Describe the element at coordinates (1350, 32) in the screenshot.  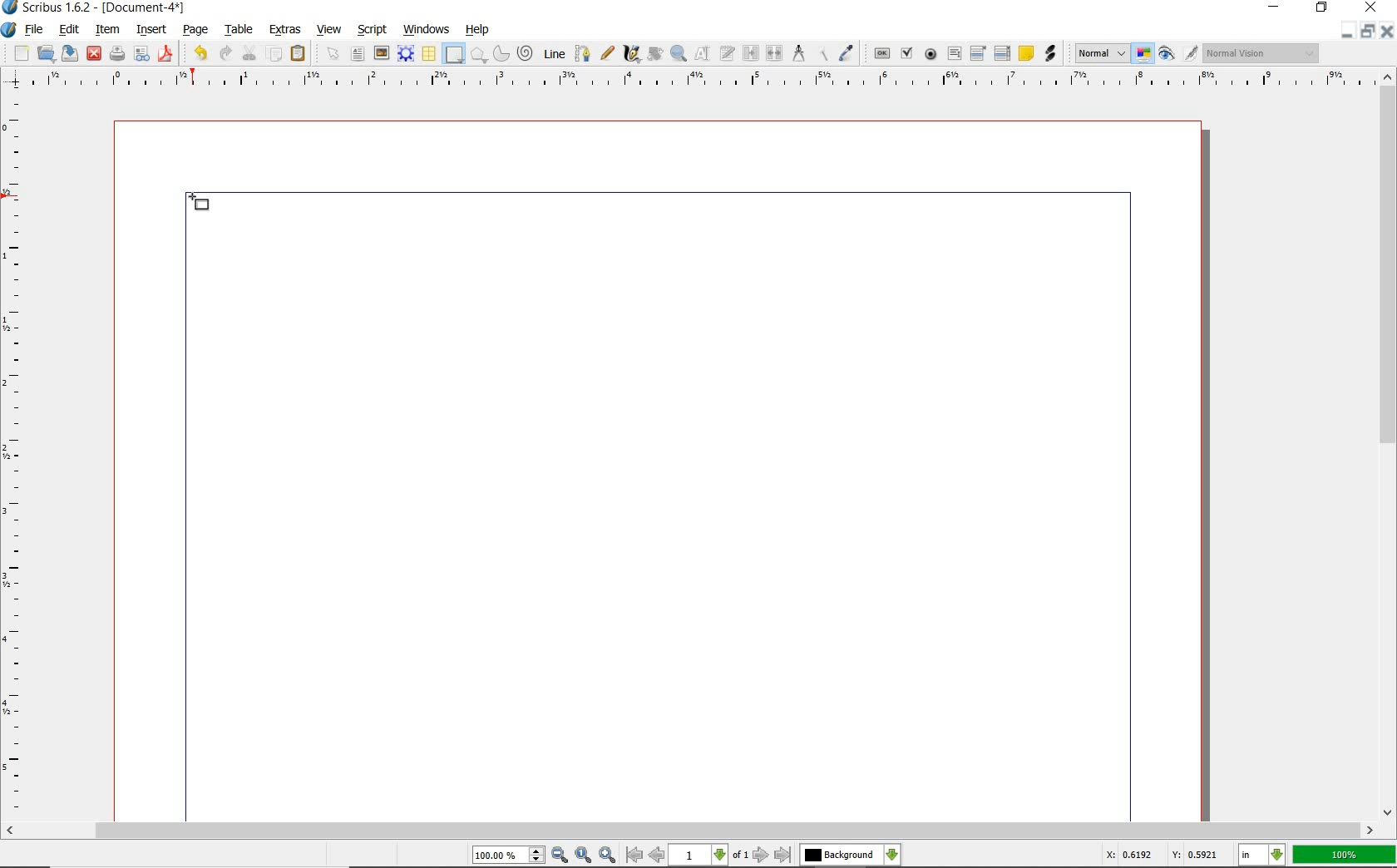
I see `minimize` at that location.